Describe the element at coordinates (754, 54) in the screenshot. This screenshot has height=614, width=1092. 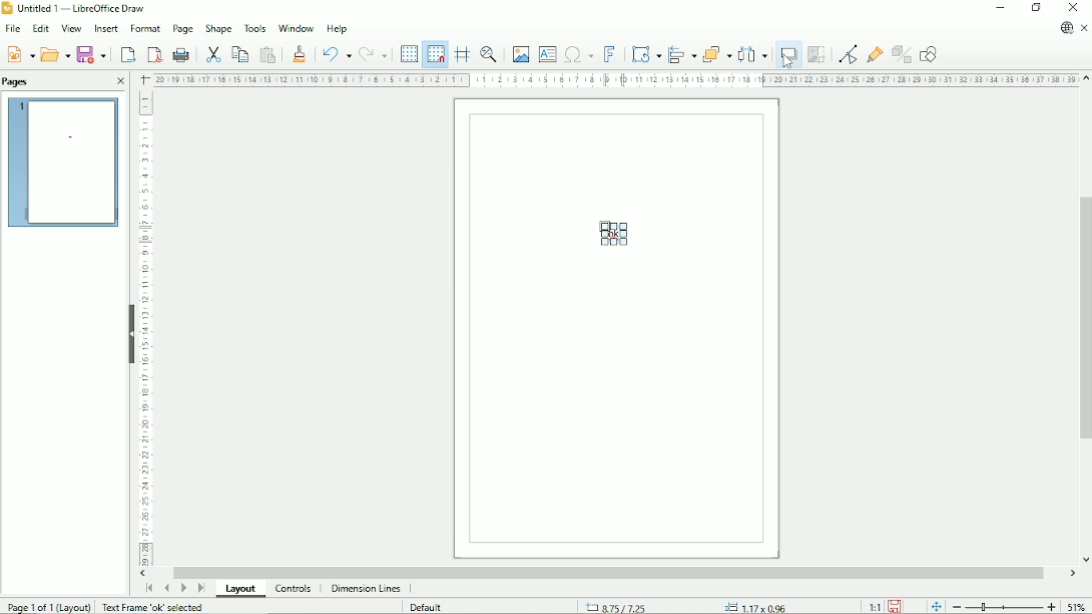
I see `Distribute` at that location.